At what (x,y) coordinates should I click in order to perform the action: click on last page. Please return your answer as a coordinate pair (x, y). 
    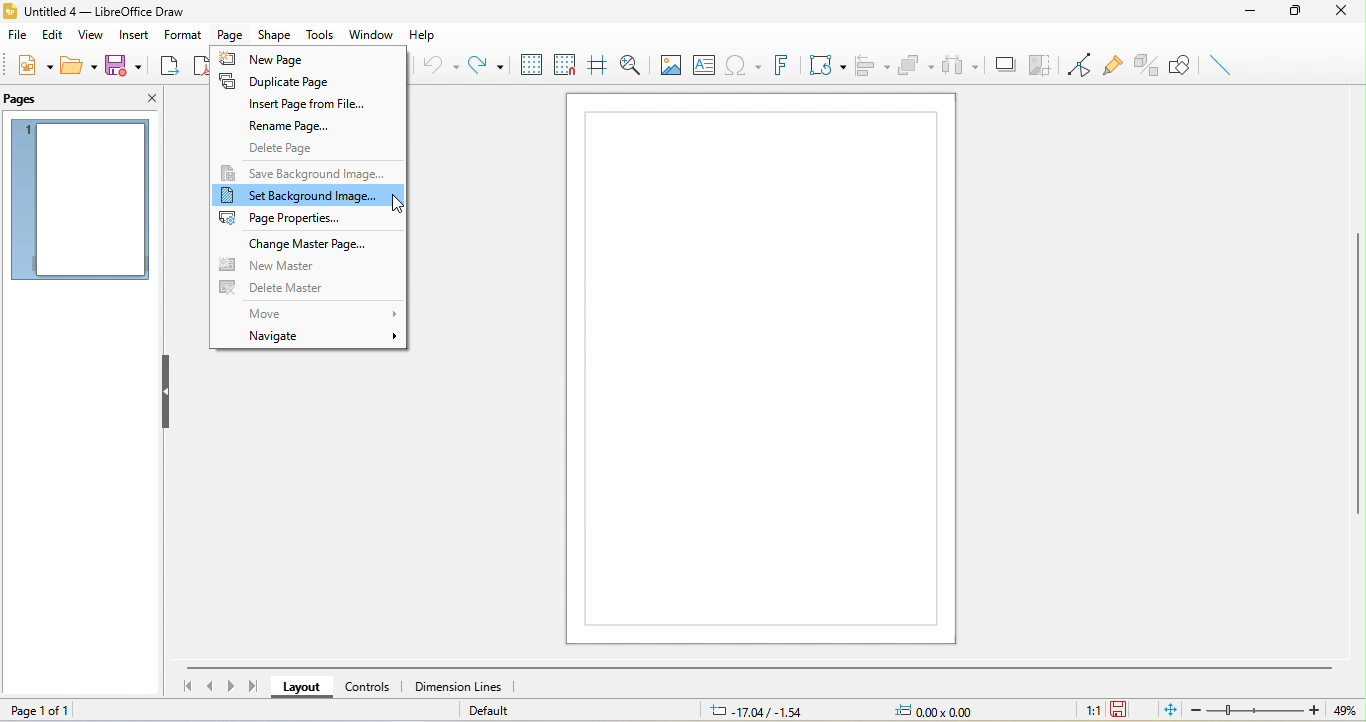
    Looking at the image, I should click on (256, 688).